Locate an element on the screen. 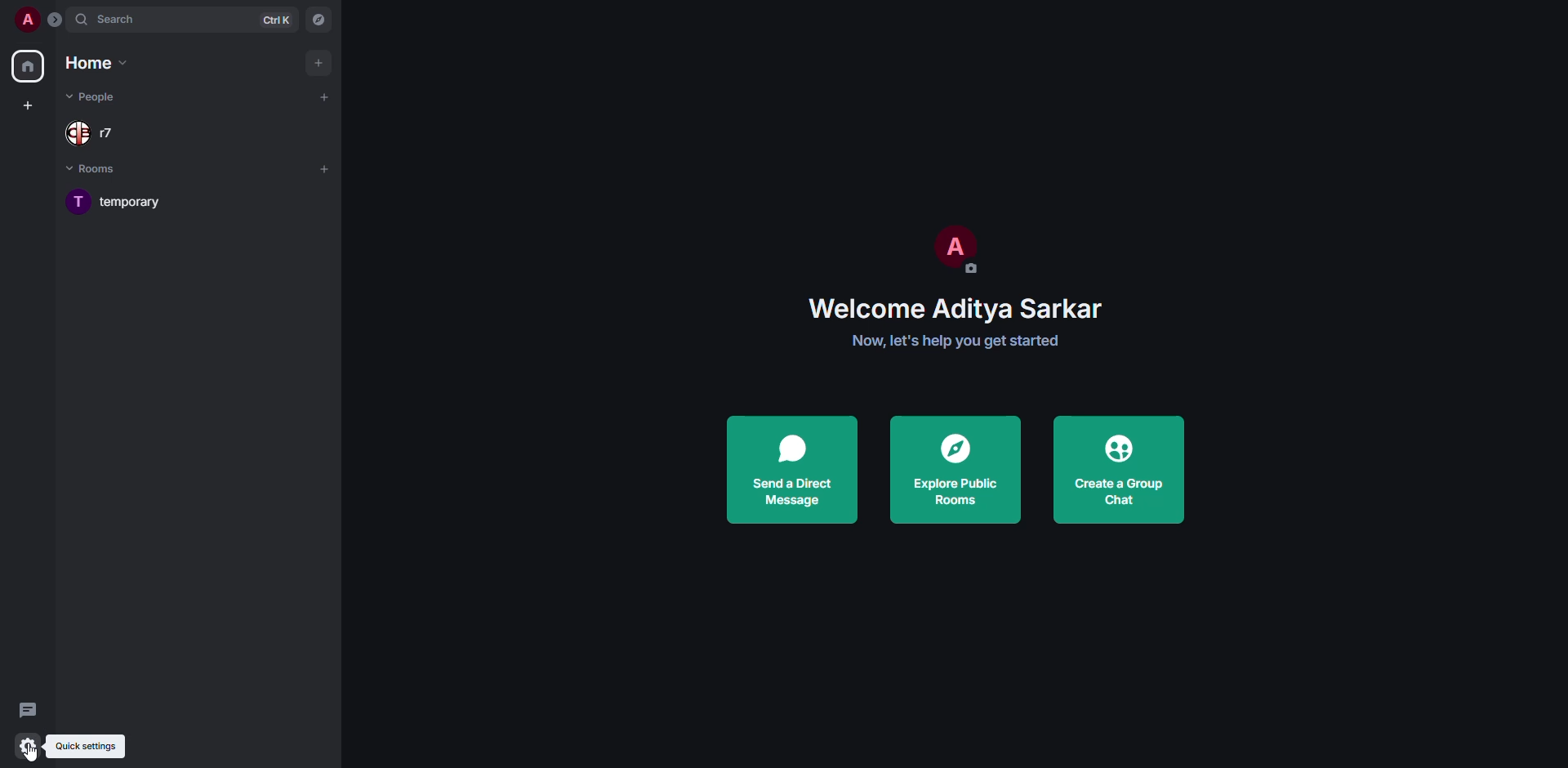 The height and width of the screenshot is (768, 1568). people is located at coordinates (95, 96).